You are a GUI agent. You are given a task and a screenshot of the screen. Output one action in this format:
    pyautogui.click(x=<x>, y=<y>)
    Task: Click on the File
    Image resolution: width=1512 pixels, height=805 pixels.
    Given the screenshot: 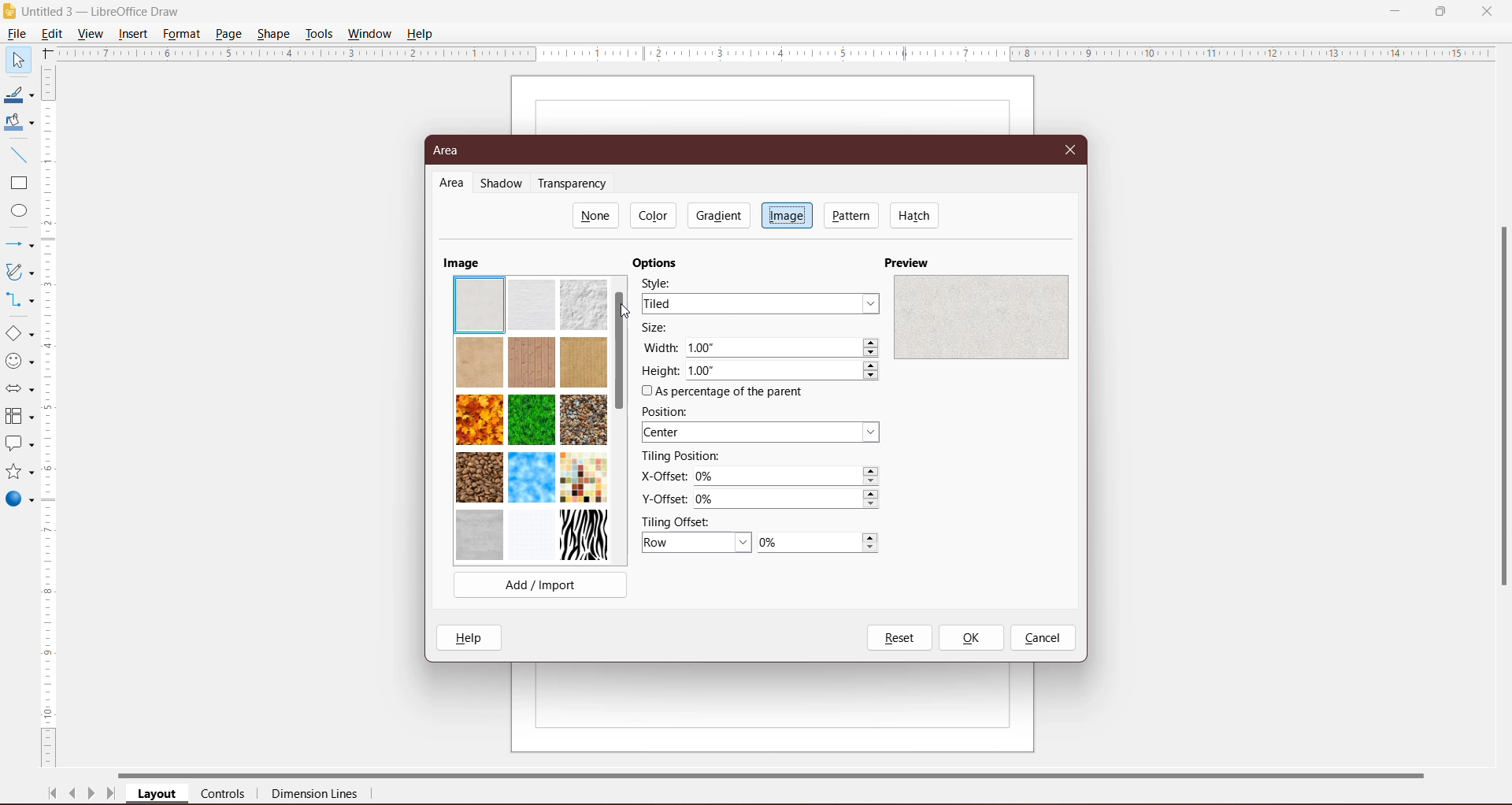 What is the action you would take?
    pyautogui.click(x=16, y=34)
    